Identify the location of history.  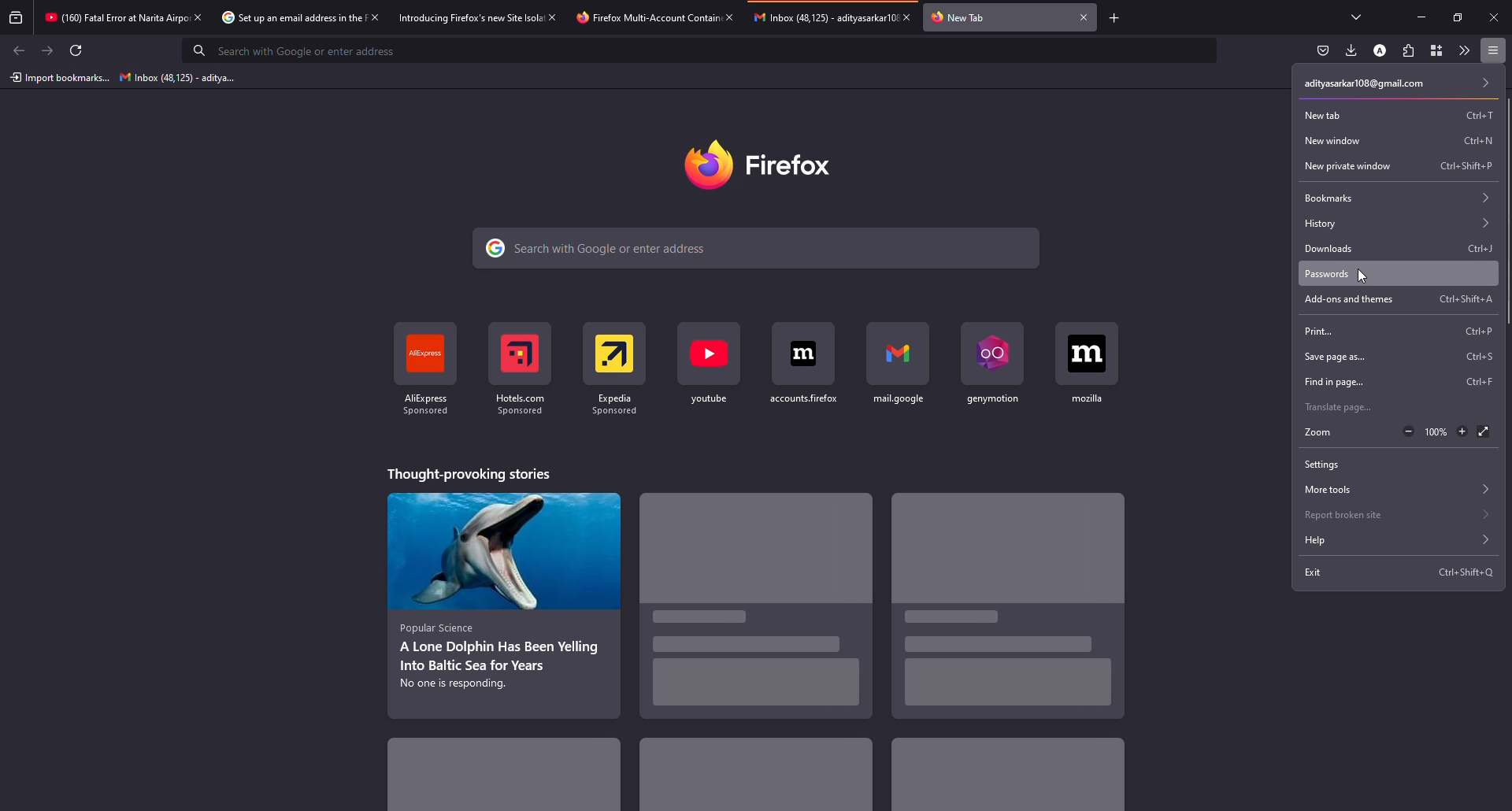
(1397, 221).